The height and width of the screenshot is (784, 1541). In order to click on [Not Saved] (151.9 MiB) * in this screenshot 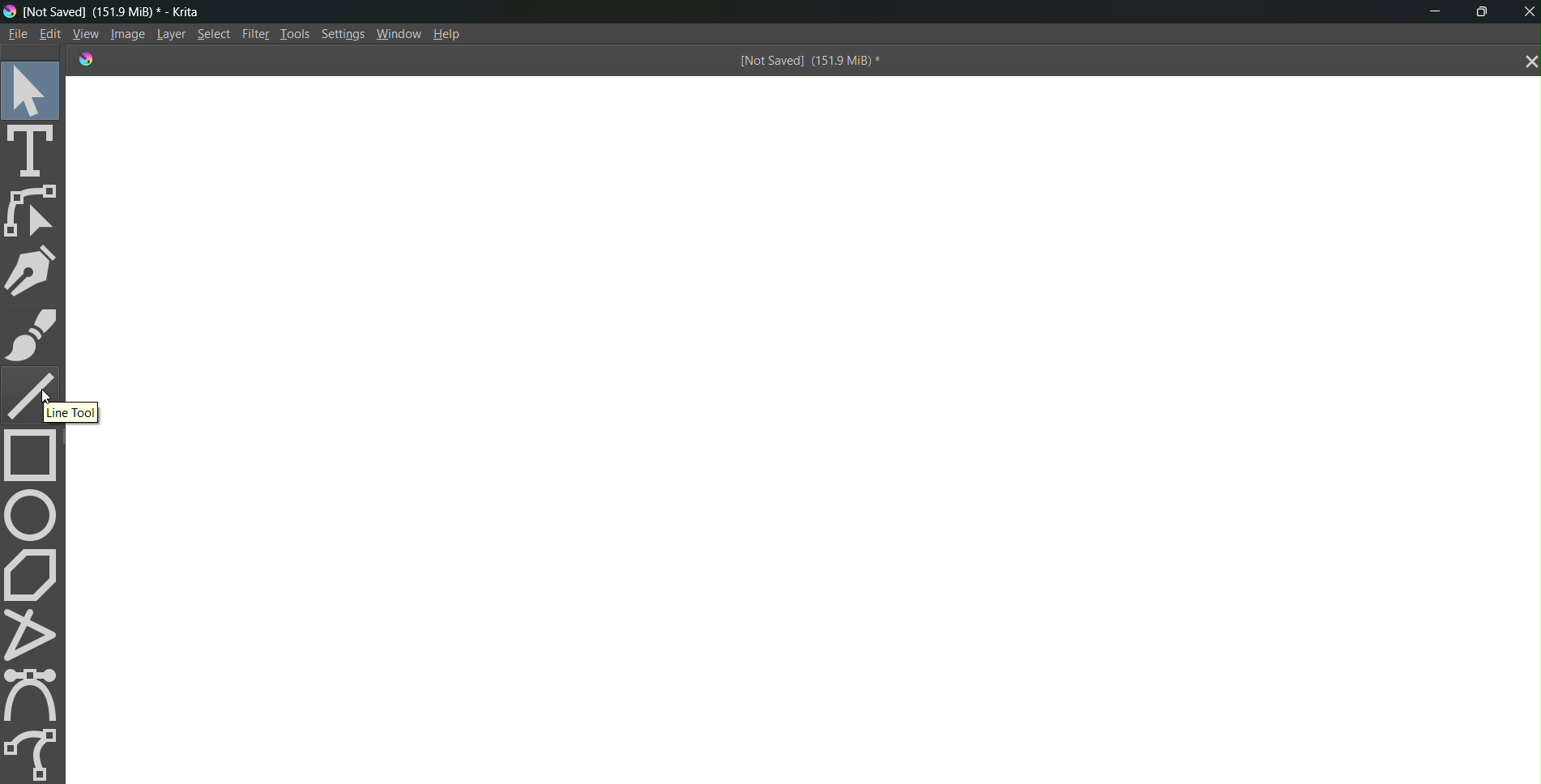, I will do `click(807, 62)`.